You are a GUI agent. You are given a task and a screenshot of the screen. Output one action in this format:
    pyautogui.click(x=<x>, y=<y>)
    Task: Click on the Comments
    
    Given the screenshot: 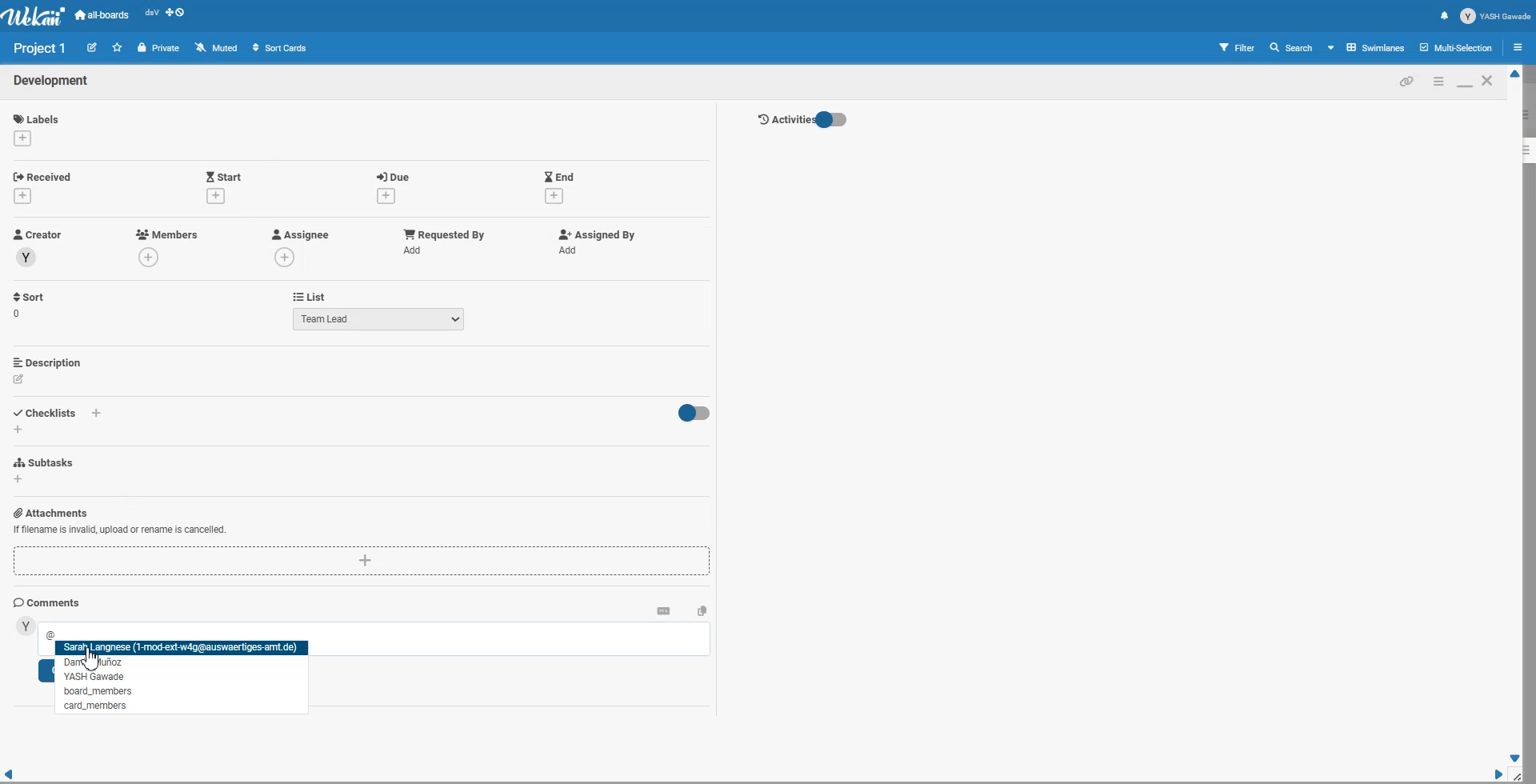 What is the action you would take?
    pyautogui.click(x=47, y=602)
    